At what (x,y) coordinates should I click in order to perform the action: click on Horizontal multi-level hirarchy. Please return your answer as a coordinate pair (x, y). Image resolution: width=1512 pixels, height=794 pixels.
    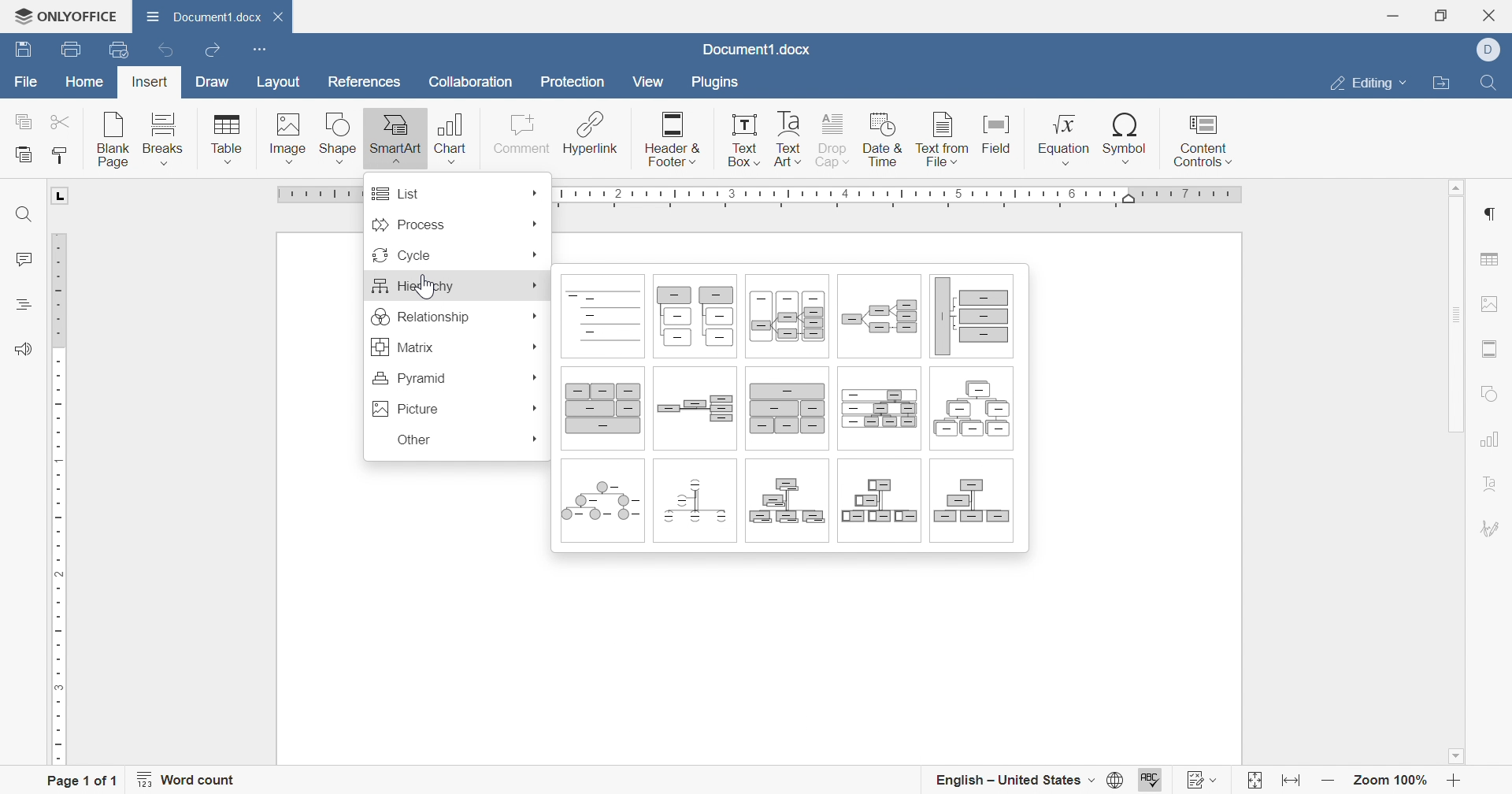
    Looking at the image, I should click on (975, 317).